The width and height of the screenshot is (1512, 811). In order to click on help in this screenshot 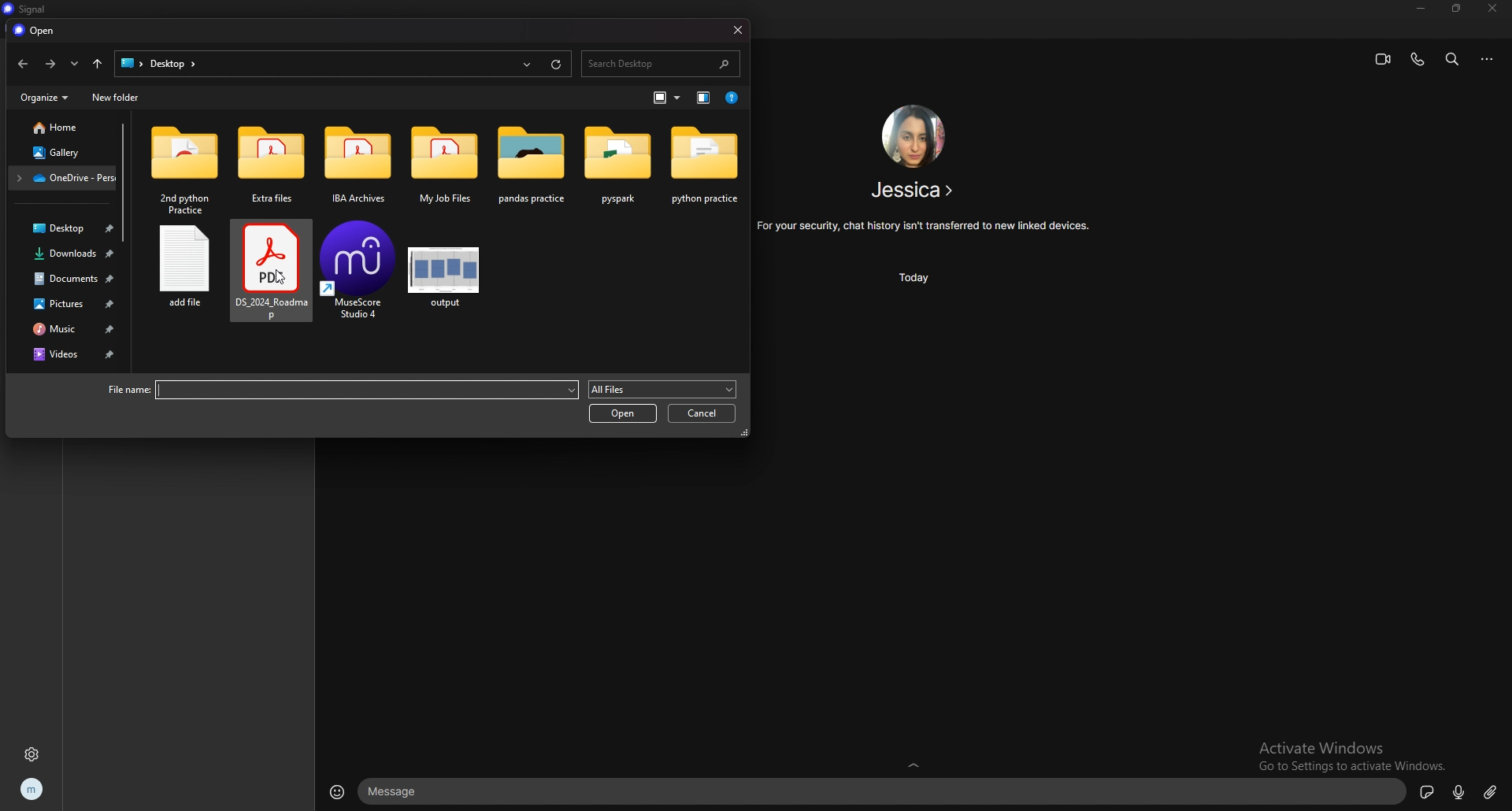, I will do `click(732, 98)`.